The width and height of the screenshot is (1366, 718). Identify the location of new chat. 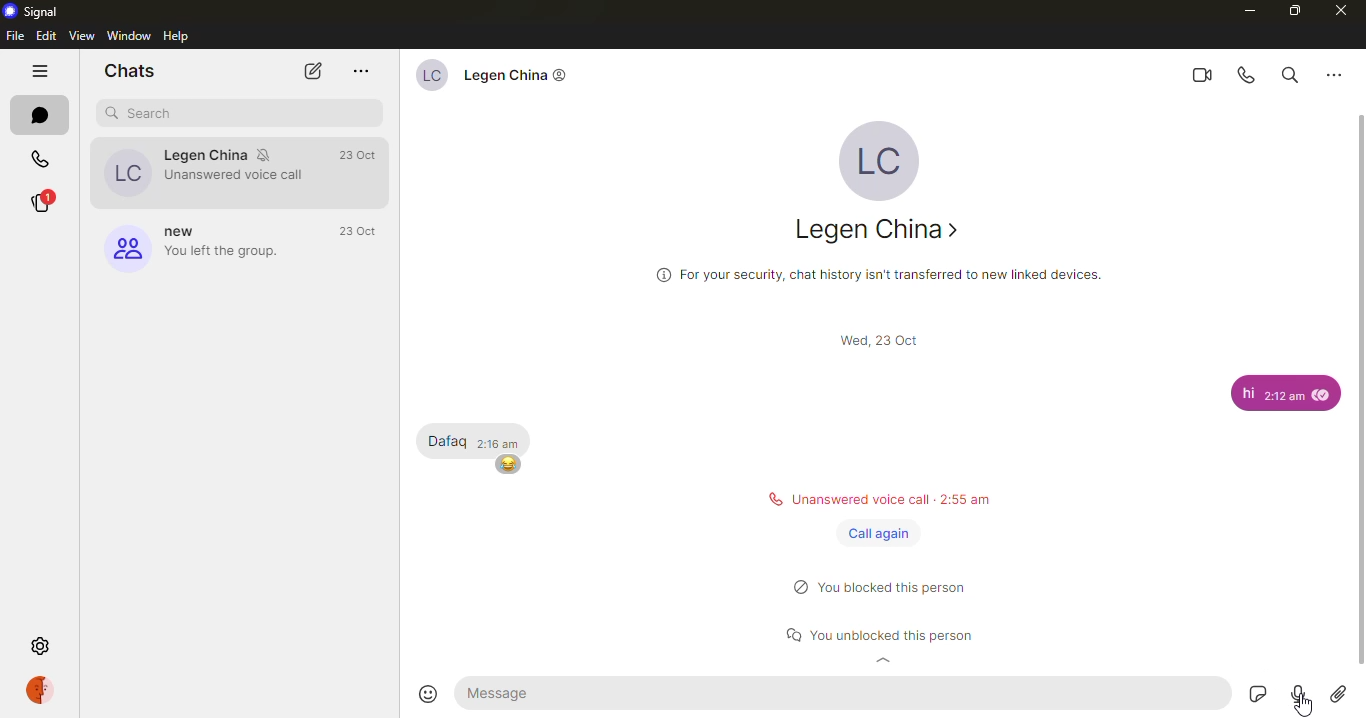
(315, 71).